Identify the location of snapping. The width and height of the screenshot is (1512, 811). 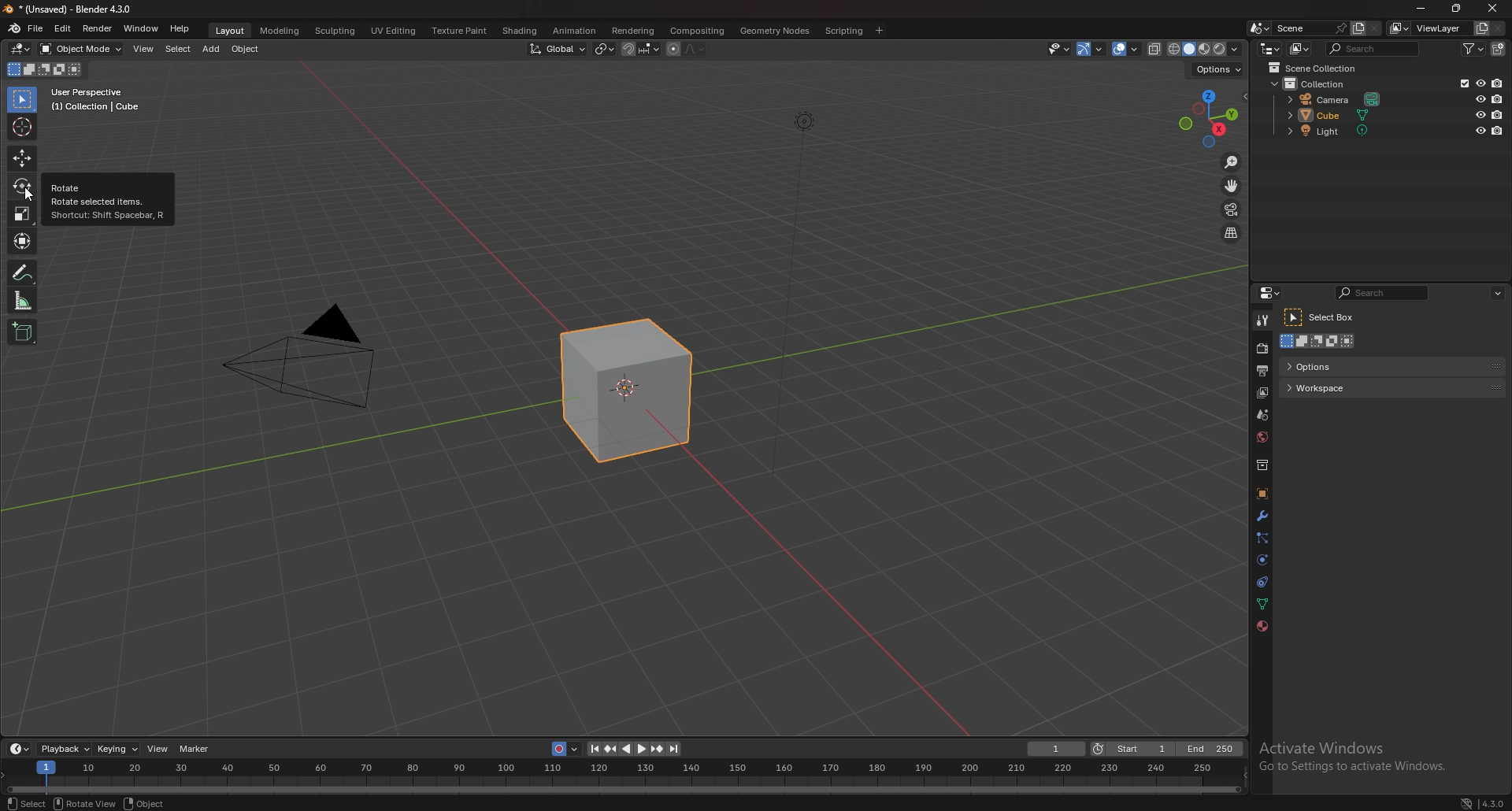
(641, 49).